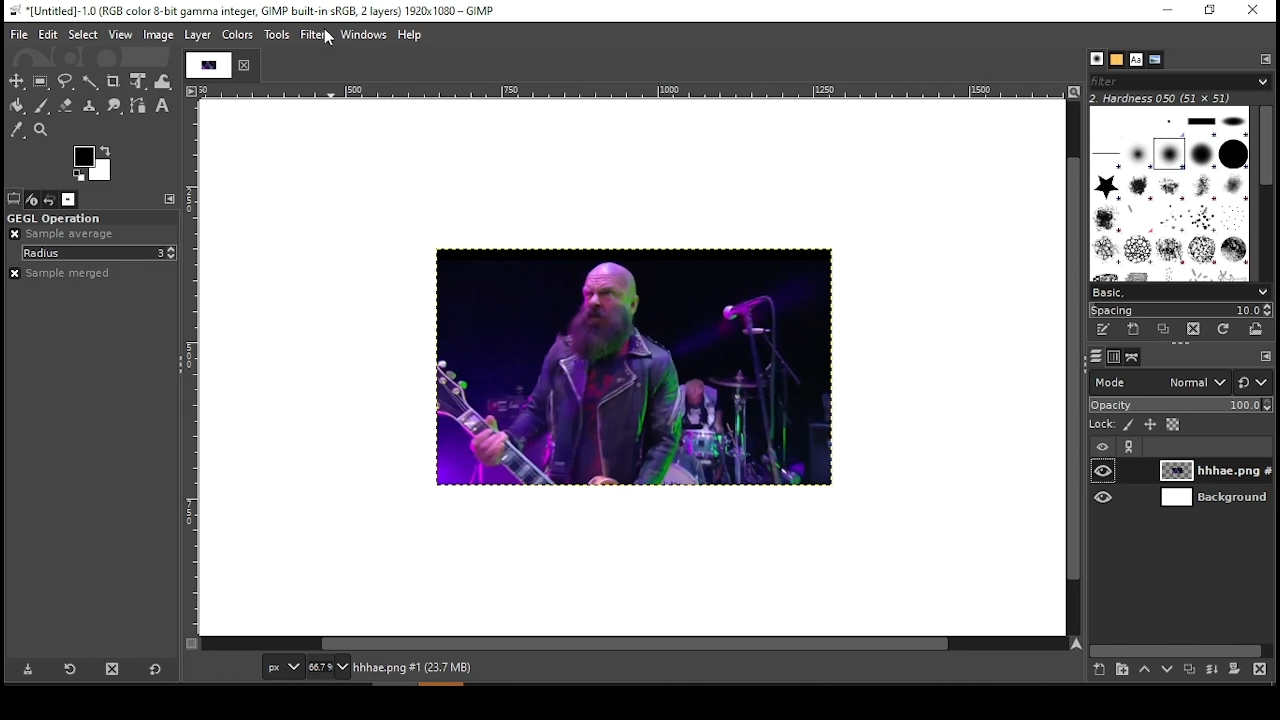 This screenshot has width=1280, height=720. I want to click on images, so click(69, 199).